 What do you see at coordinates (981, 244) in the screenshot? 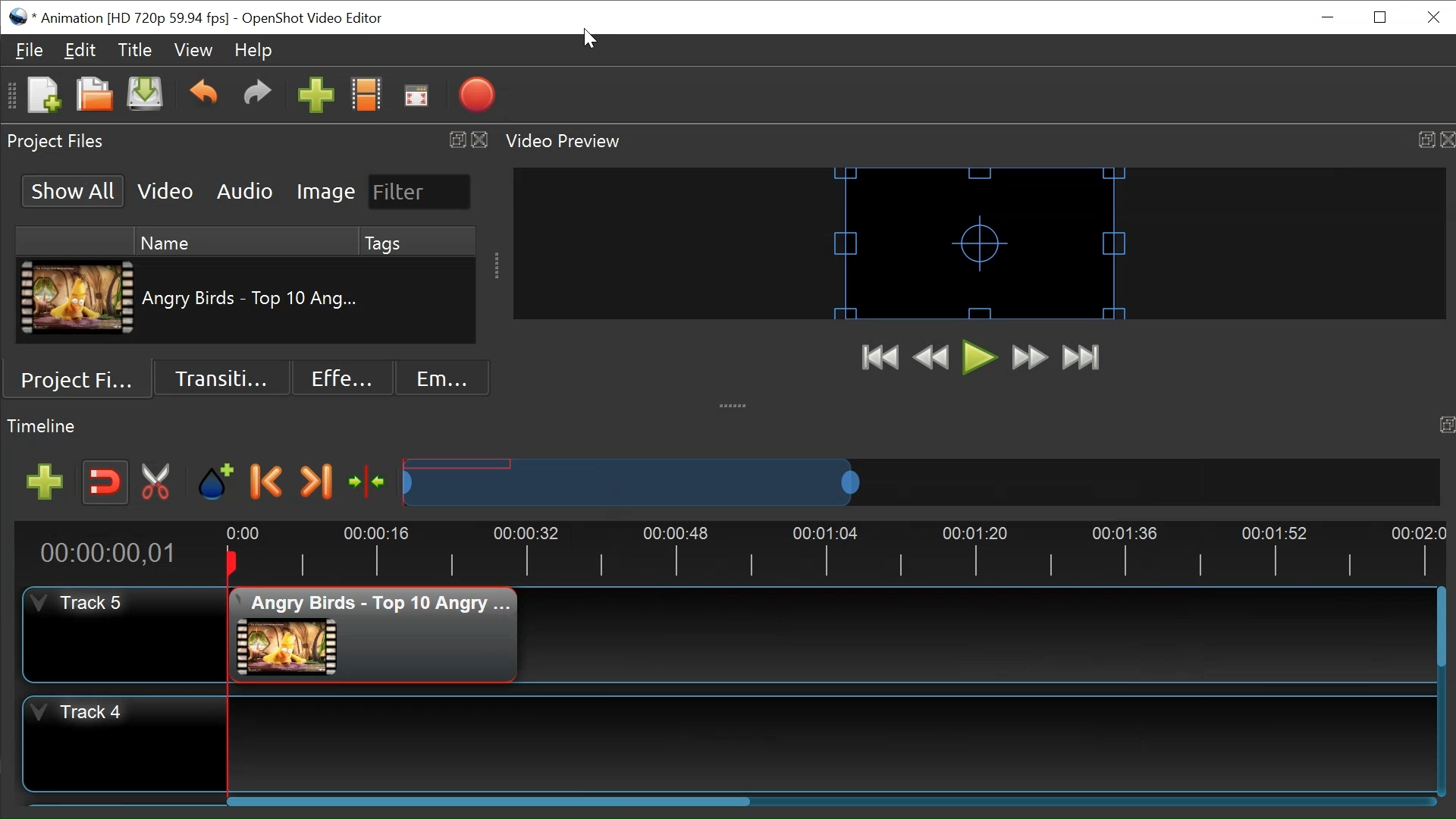
I see `Preview Window` at bounding box center [981, 244].